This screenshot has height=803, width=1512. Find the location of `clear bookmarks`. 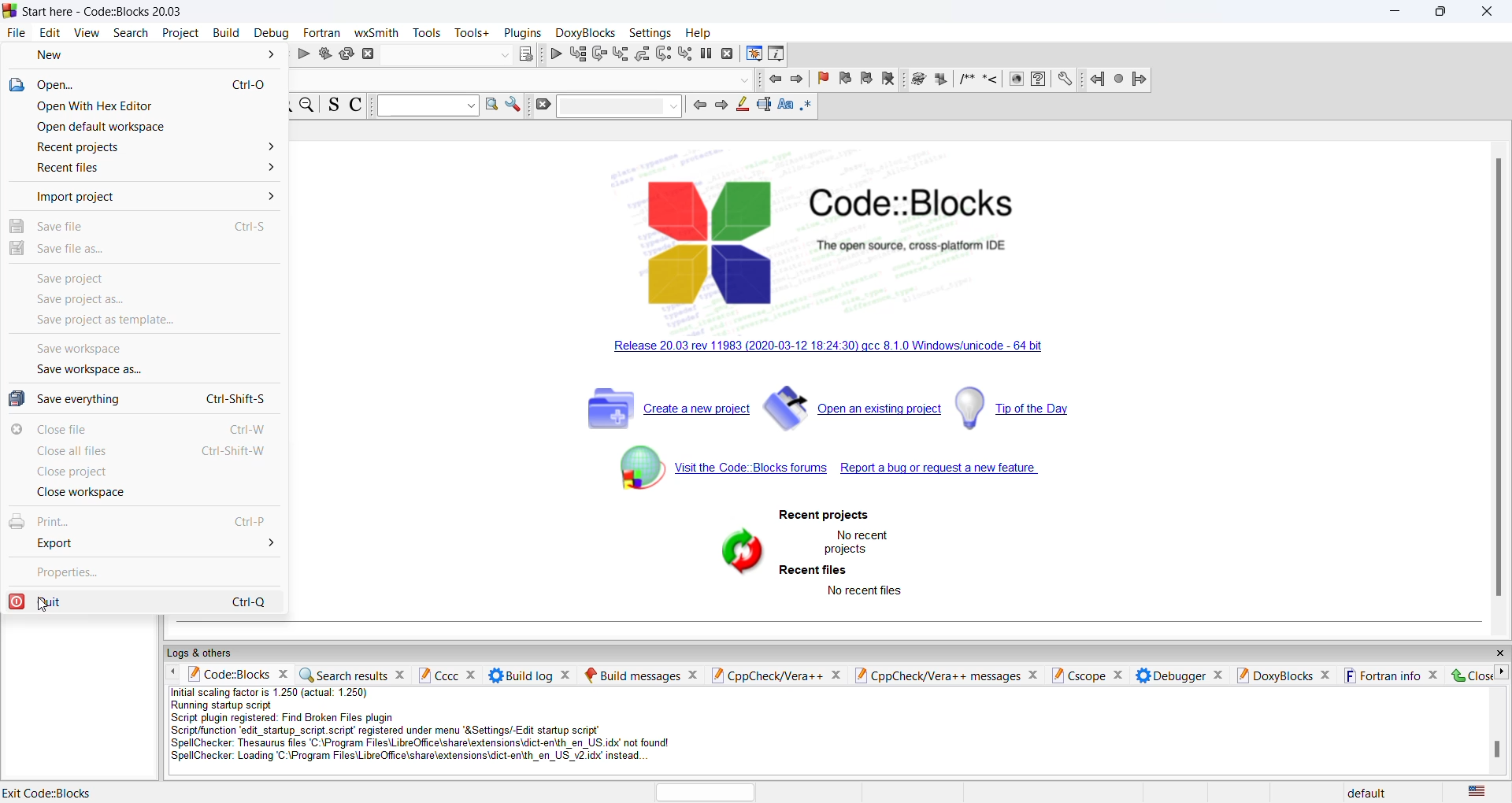

clear bookmarks is located at coordinates (888, 79).